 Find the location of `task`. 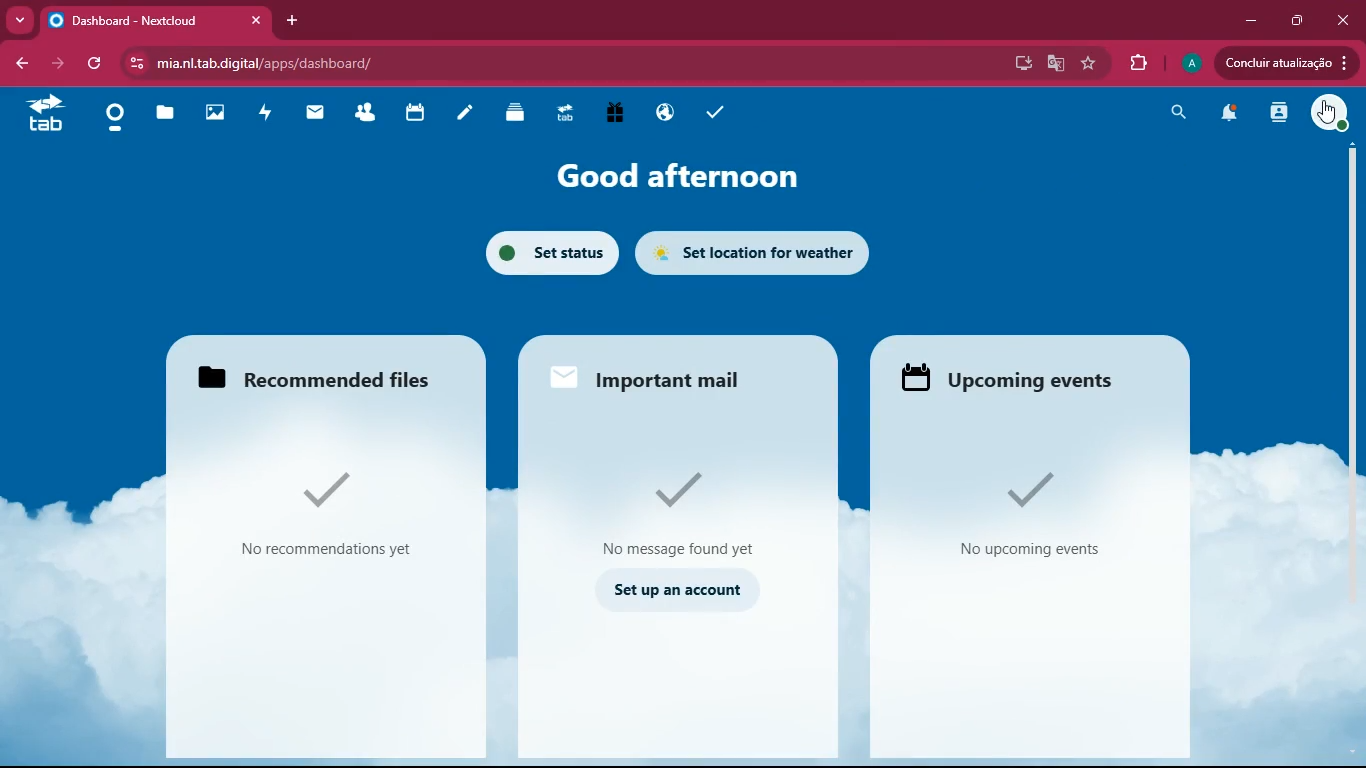

task is located at coordinates (716, 113).